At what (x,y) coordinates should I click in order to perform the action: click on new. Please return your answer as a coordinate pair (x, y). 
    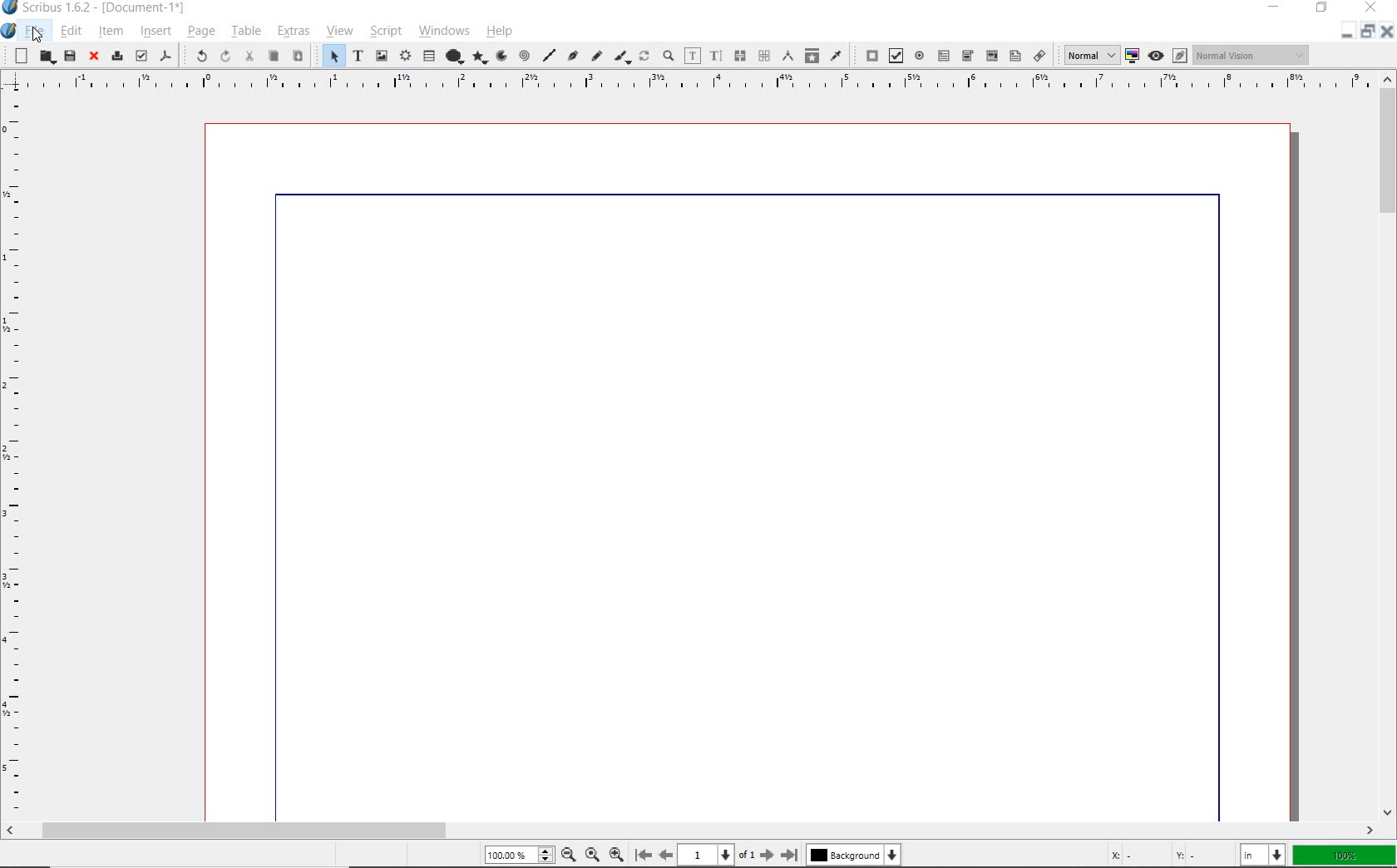
    Looking at the image, I should click on (19, 56).